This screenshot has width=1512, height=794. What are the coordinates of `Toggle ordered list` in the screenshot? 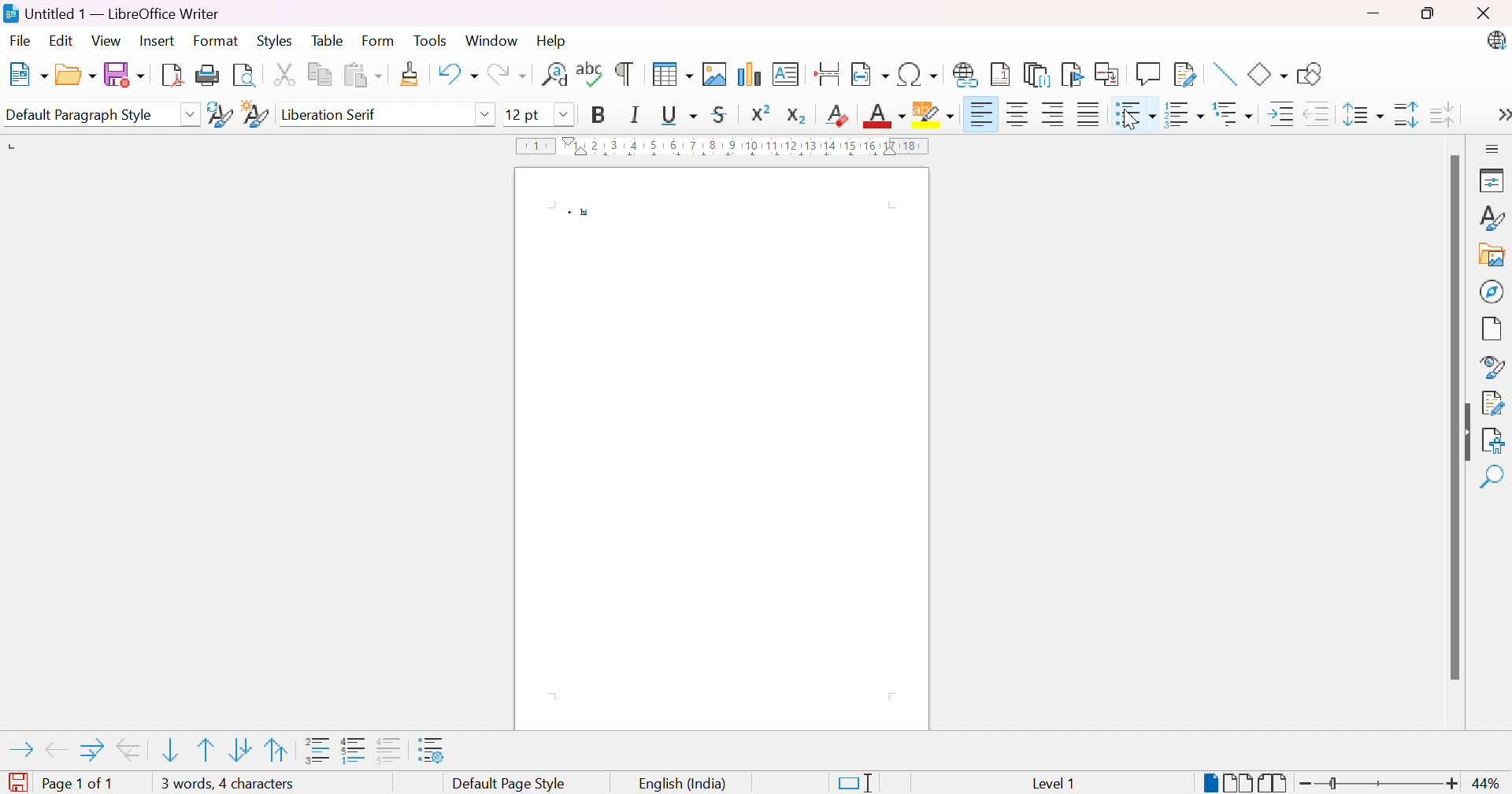 It's located at (1187, 117).